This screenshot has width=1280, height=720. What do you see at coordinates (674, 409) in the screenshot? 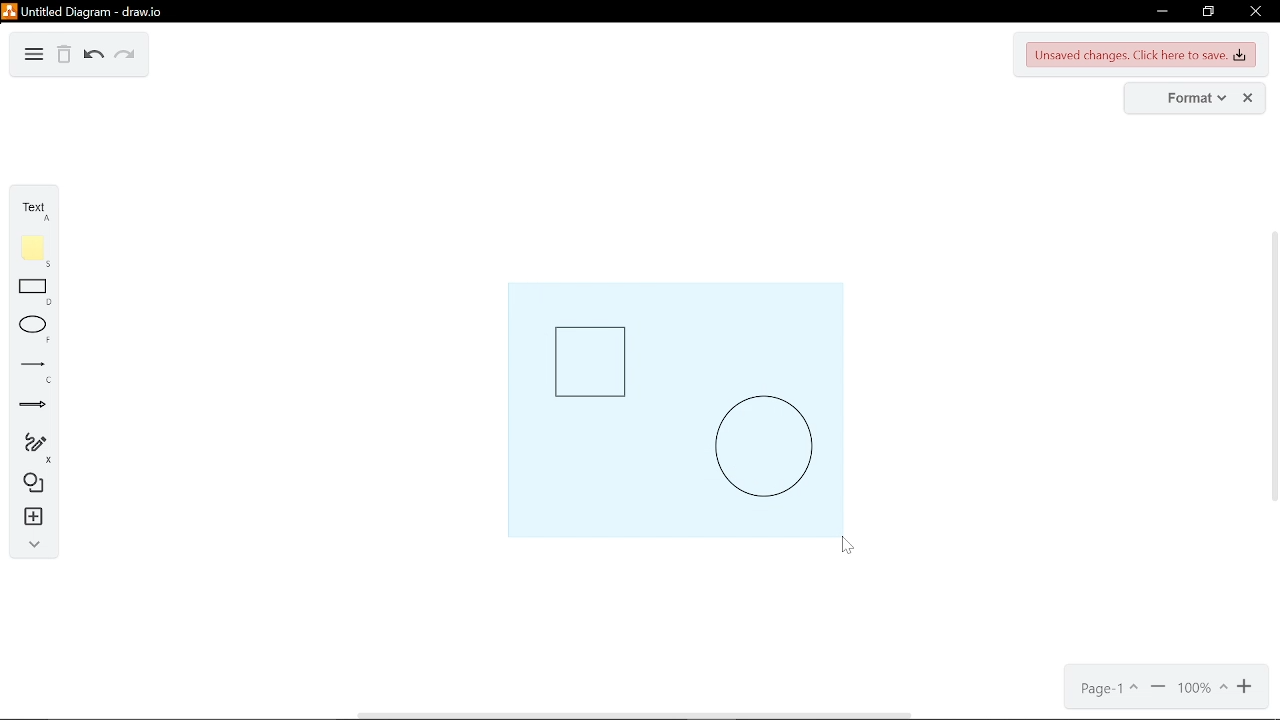
I see `grouped square and circle` at bounding box center [674, 409].